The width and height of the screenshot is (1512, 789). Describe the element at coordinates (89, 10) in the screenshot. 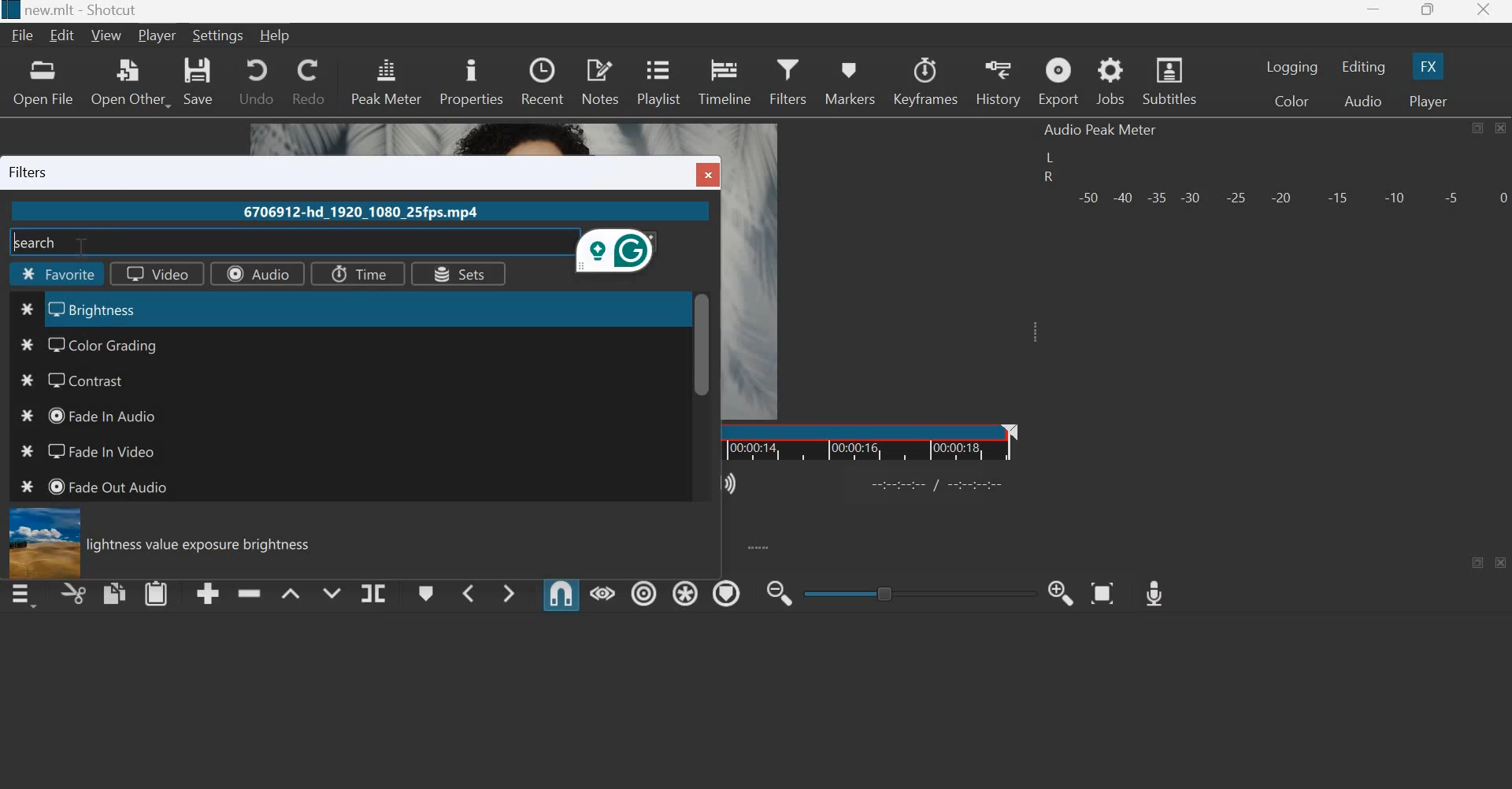

I see `new.mlt - Shotcut` at that location.